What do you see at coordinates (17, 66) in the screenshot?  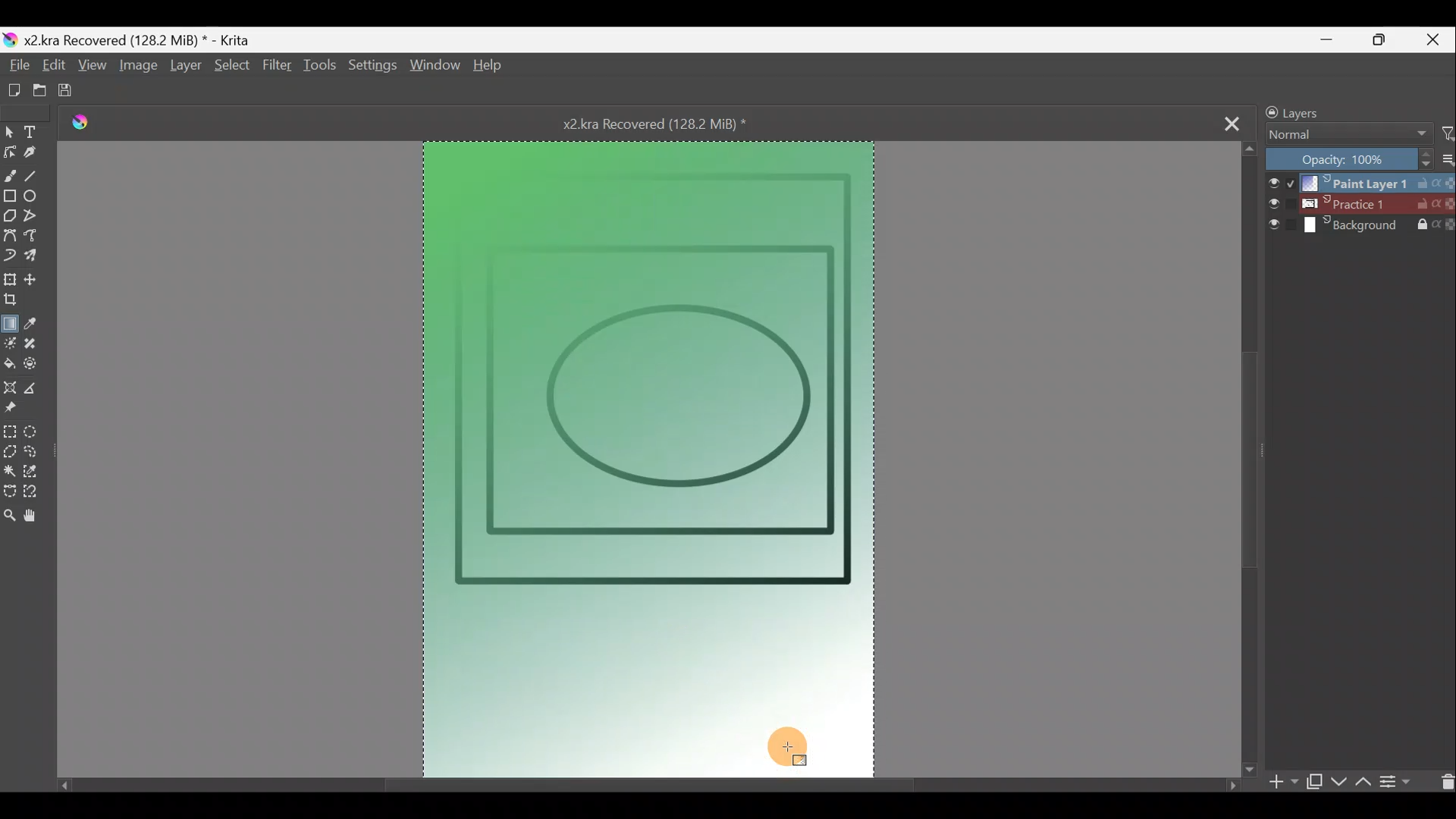 I see `File` at bounding box center [17, 66].